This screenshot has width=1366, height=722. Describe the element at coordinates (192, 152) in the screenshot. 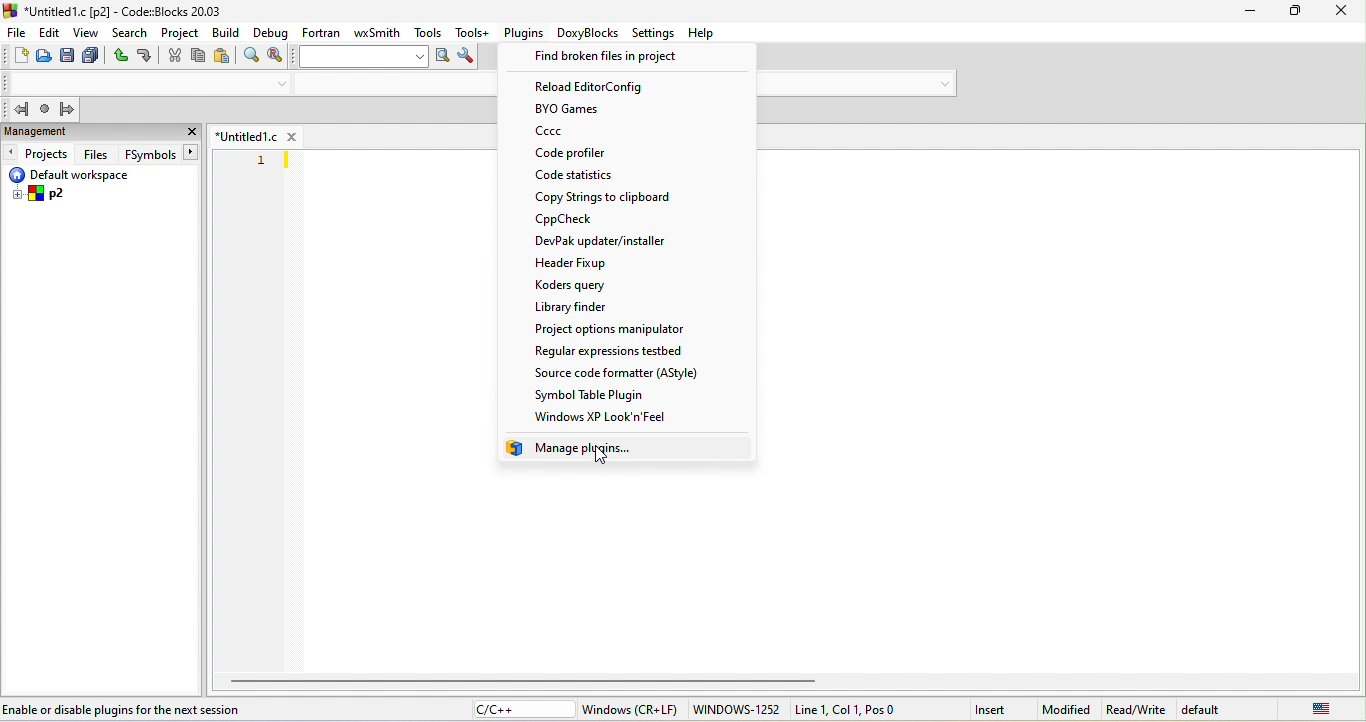

I see `button ` at that location.